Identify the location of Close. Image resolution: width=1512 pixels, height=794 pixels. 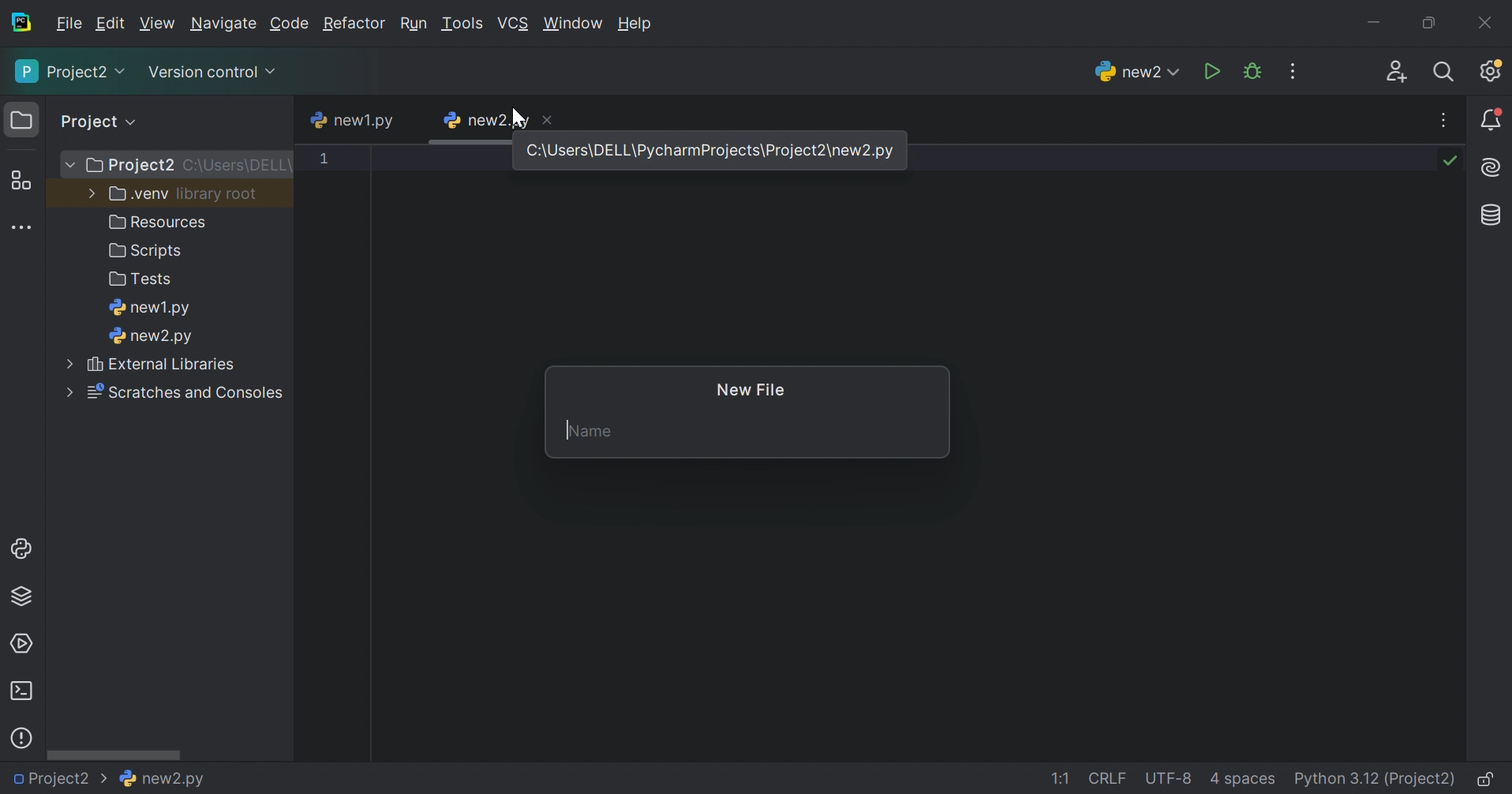
(551, 118).